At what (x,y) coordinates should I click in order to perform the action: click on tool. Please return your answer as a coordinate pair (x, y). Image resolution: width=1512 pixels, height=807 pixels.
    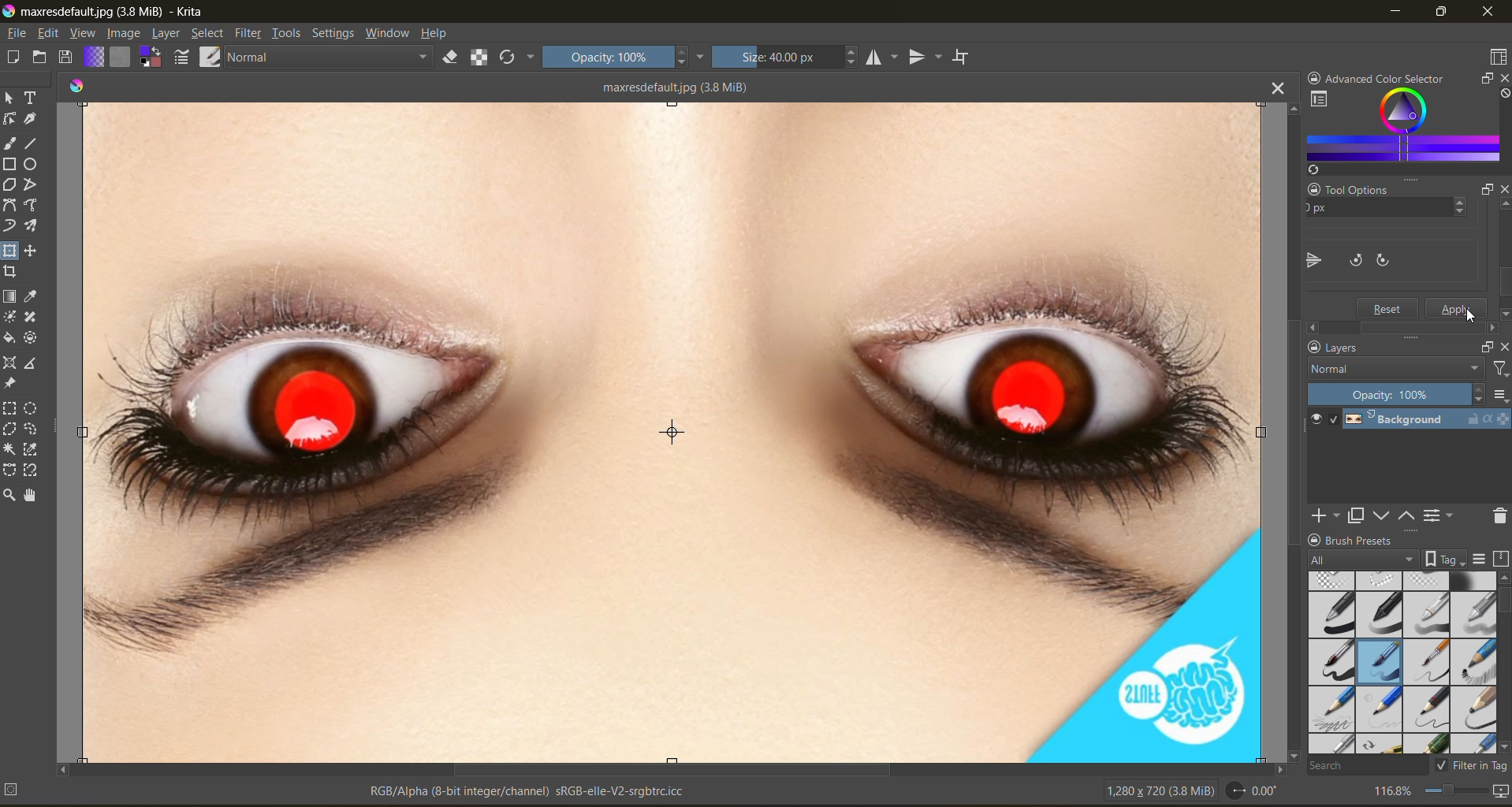
    Looking at the image, I should click on (11, 494).